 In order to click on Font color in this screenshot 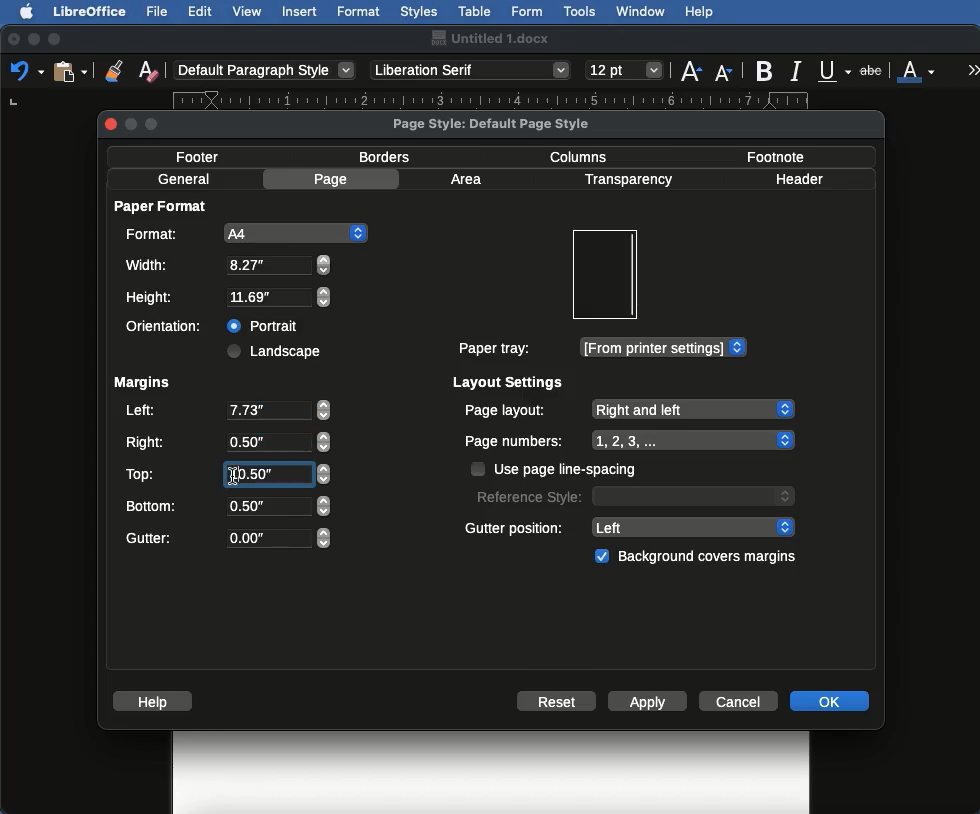, I will do `click(917, 69)`.